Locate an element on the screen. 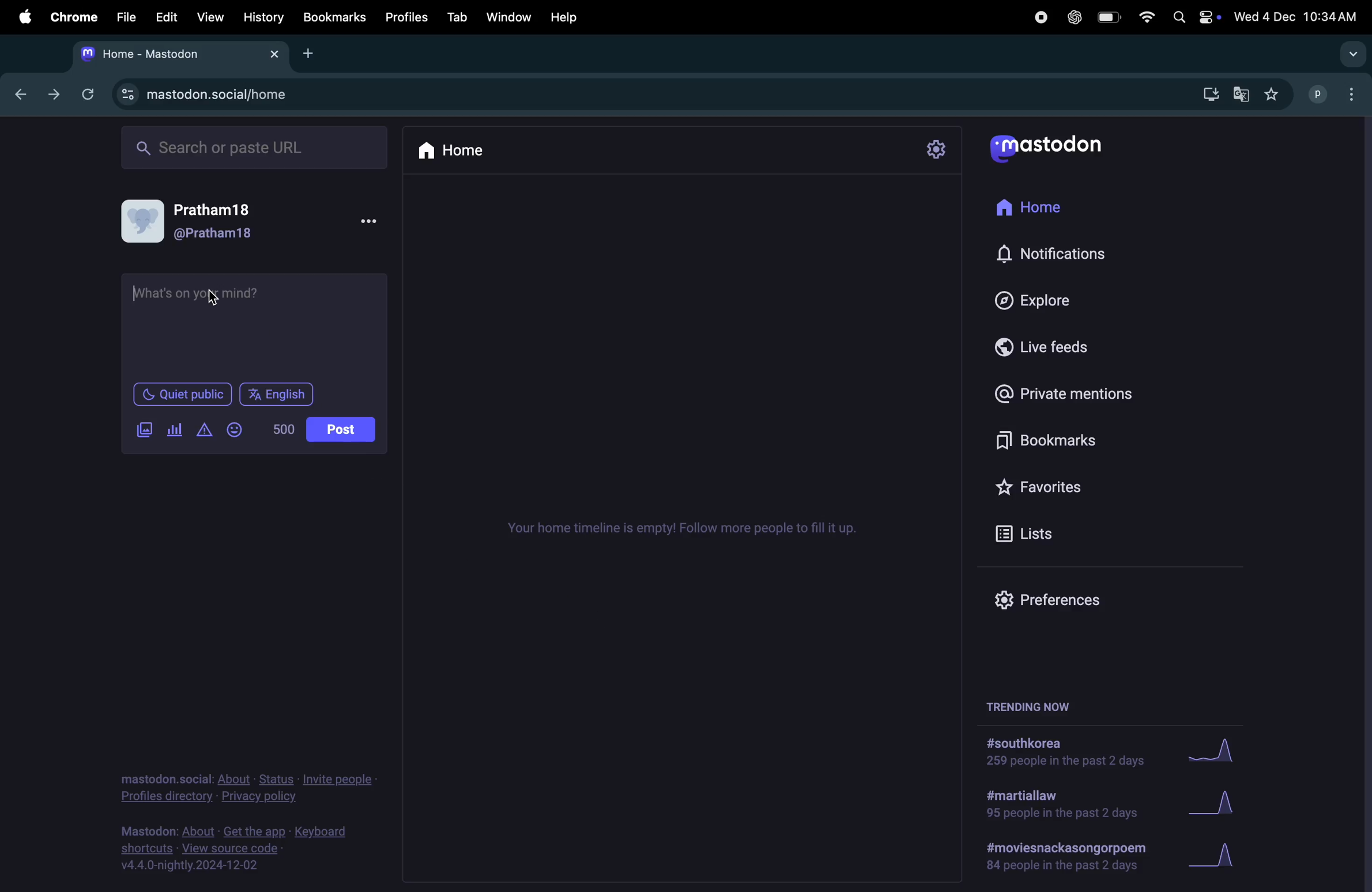 This screenshot has width=1372, height=892. Graph is located at coordinates (1222, 804).